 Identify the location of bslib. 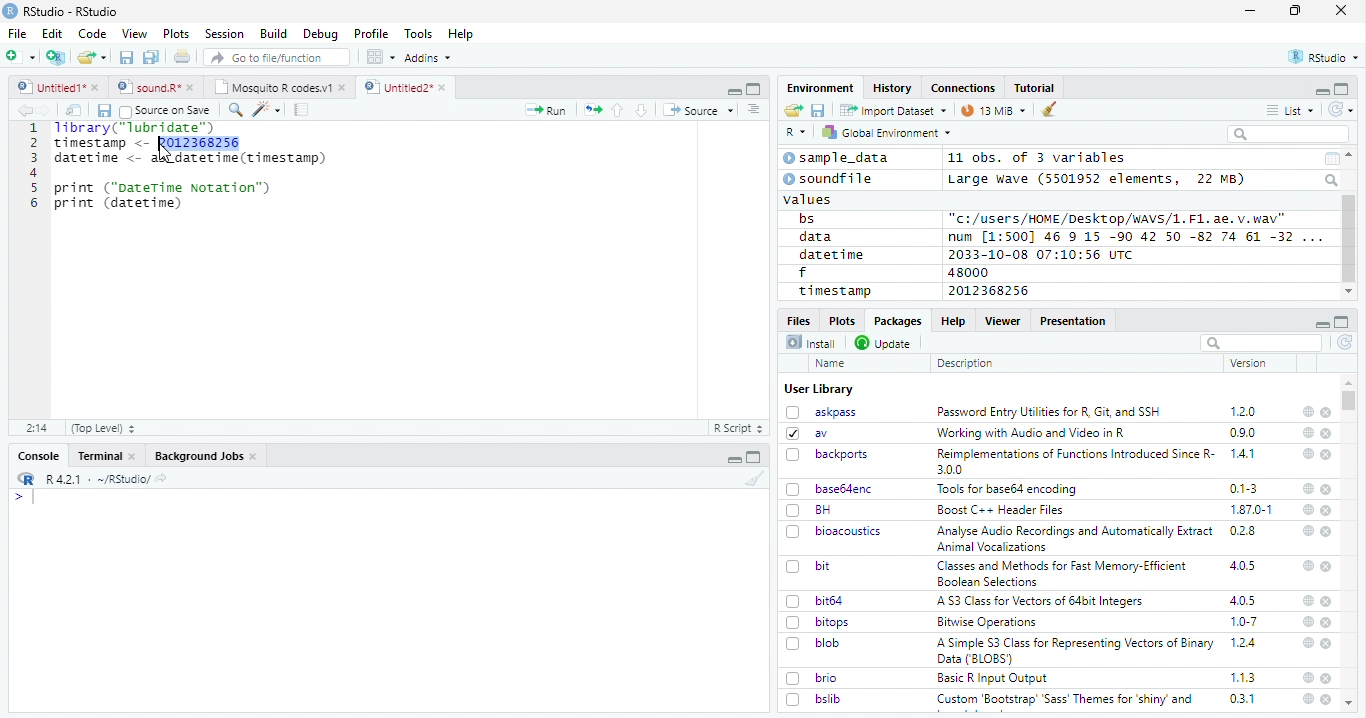
(814, 698).